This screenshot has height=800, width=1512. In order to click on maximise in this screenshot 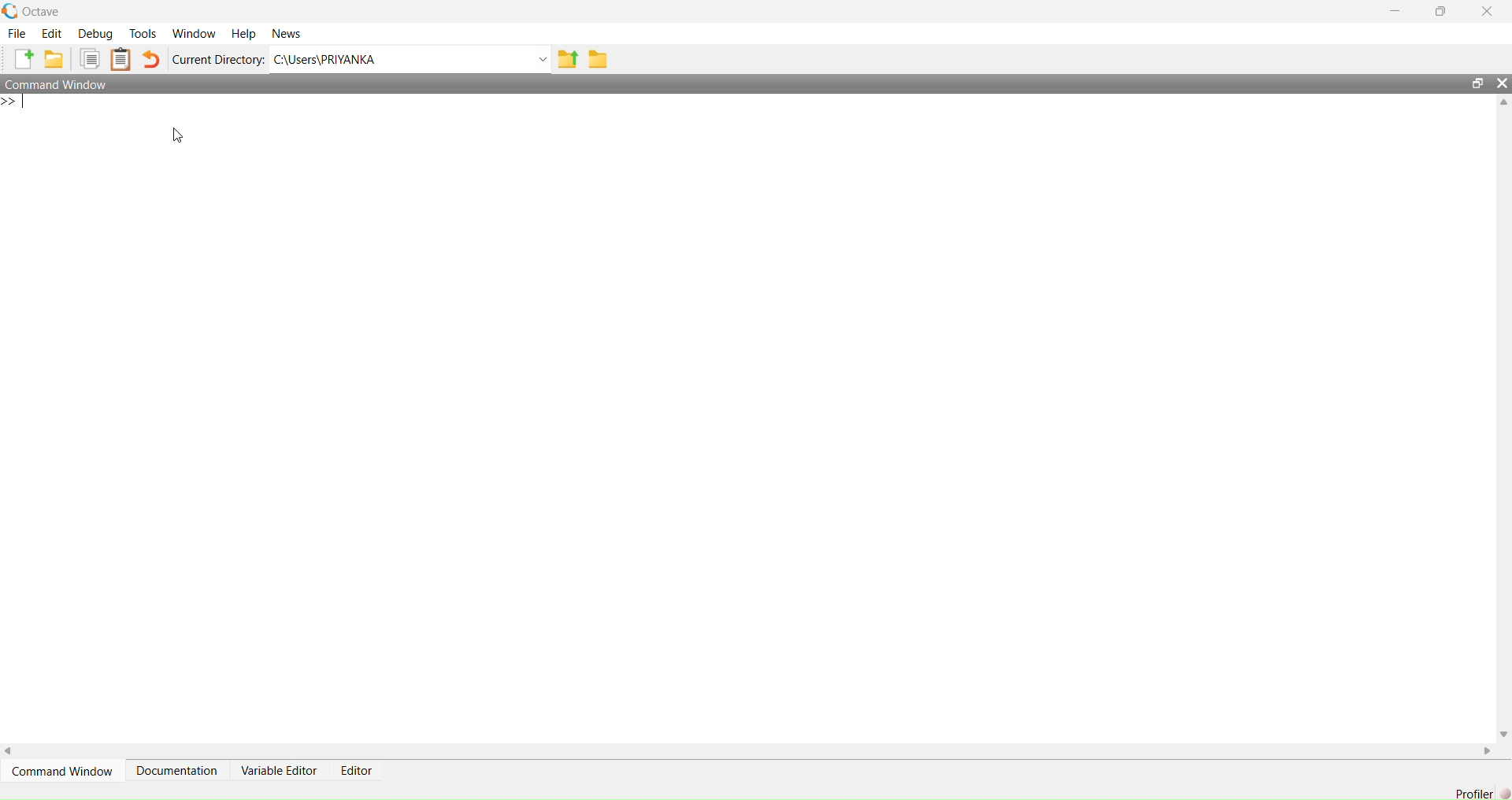, I will do `click(1473, 80)`.